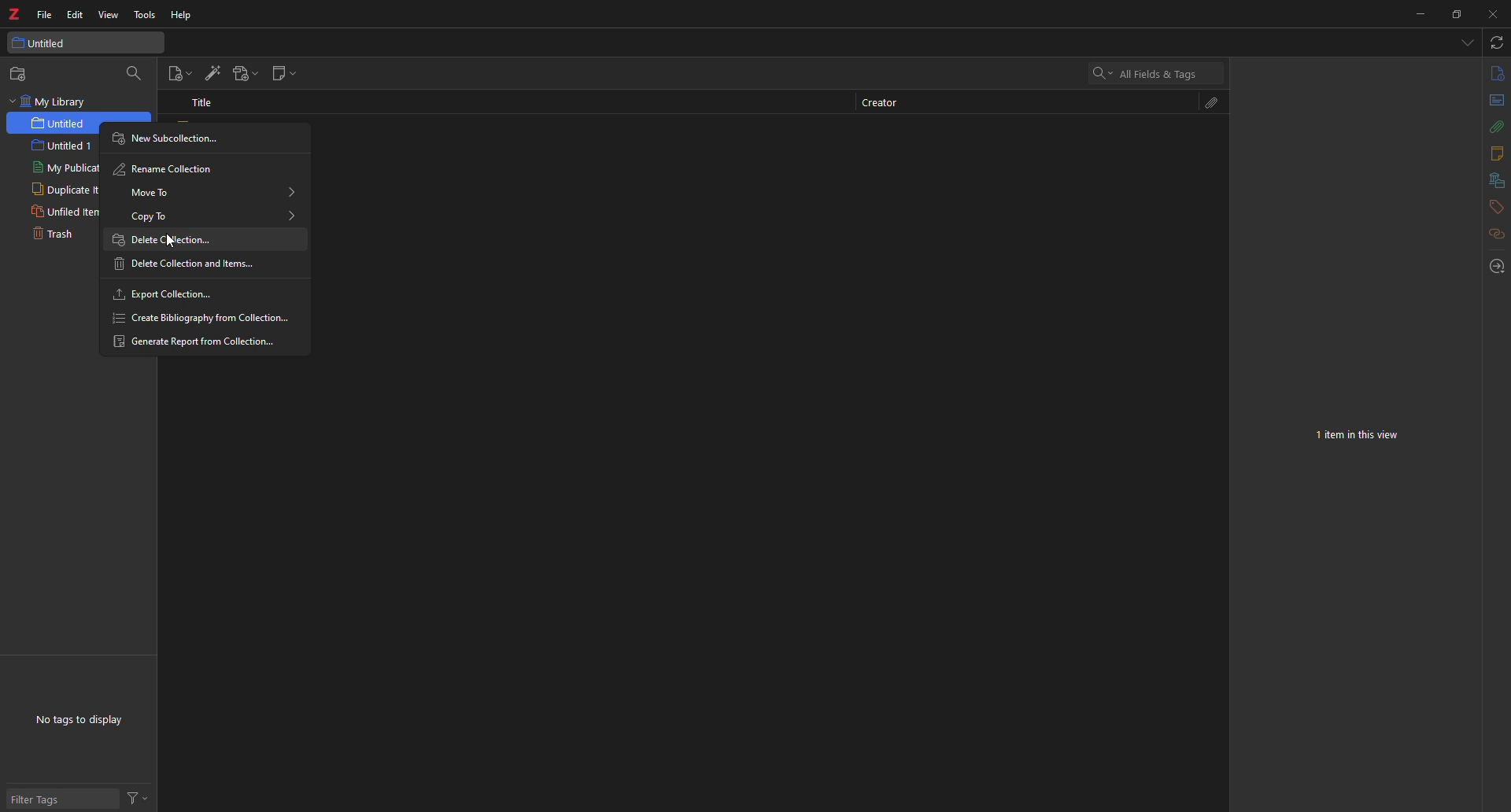 The height and width of the screenshot is (812, 1511). Describe the element at coordinates (146, 16) in the screenshot. I see `tools` at that location.